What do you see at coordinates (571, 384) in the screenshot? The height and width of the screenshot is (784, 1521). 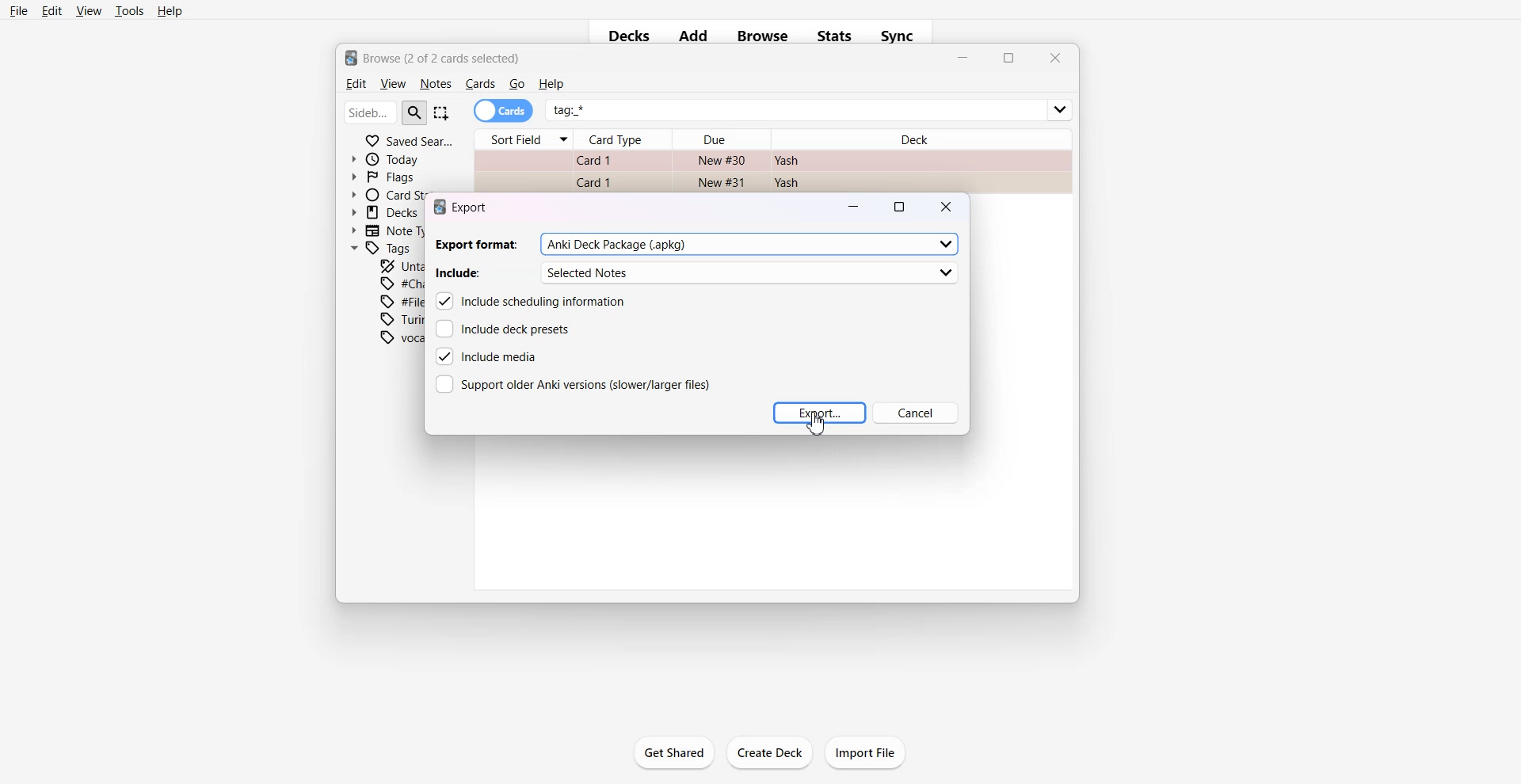 I see `Support older Anki versions` at bounding box center [571, 384].